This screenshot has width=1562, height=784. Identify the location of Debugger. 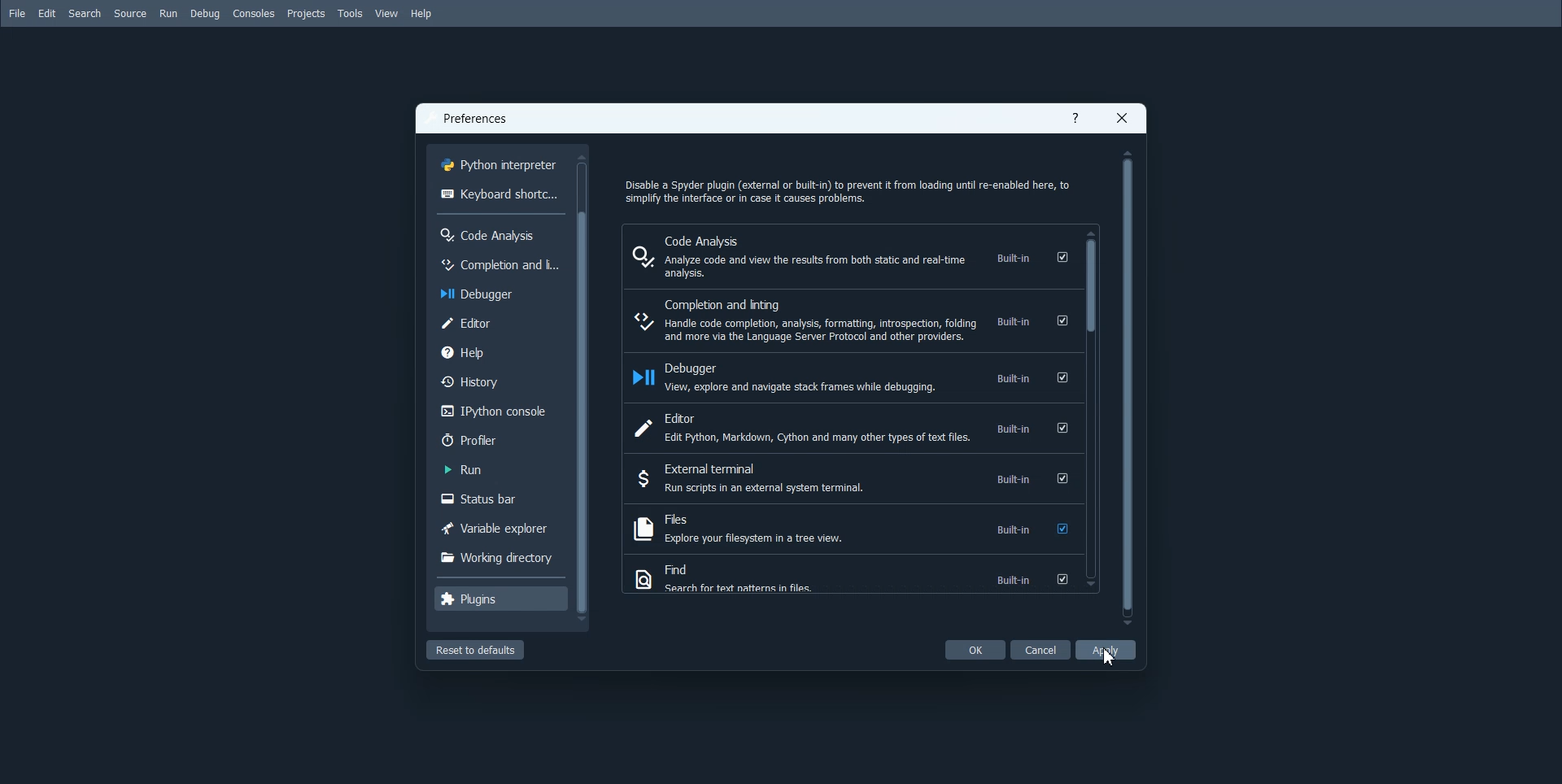
(498, 292).